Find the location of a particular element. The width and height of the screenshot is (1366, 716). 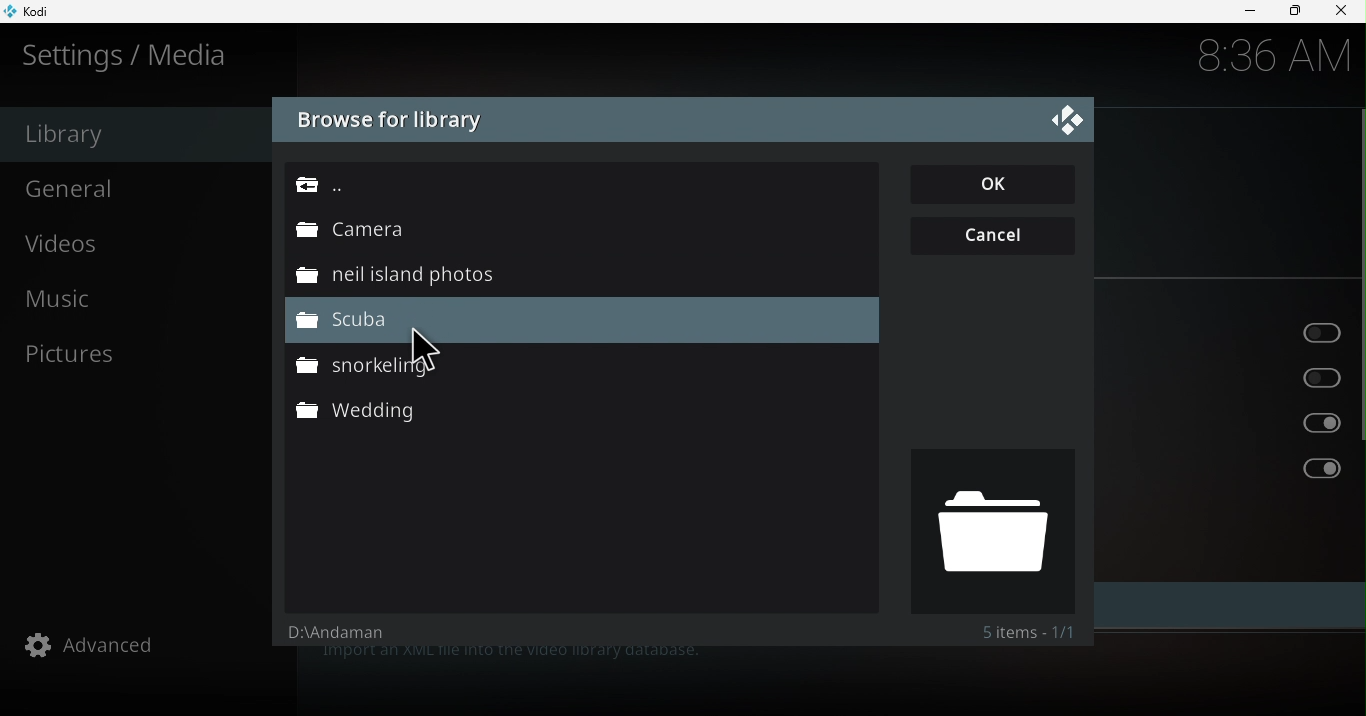

Camera is located at coordinates (571, 230).